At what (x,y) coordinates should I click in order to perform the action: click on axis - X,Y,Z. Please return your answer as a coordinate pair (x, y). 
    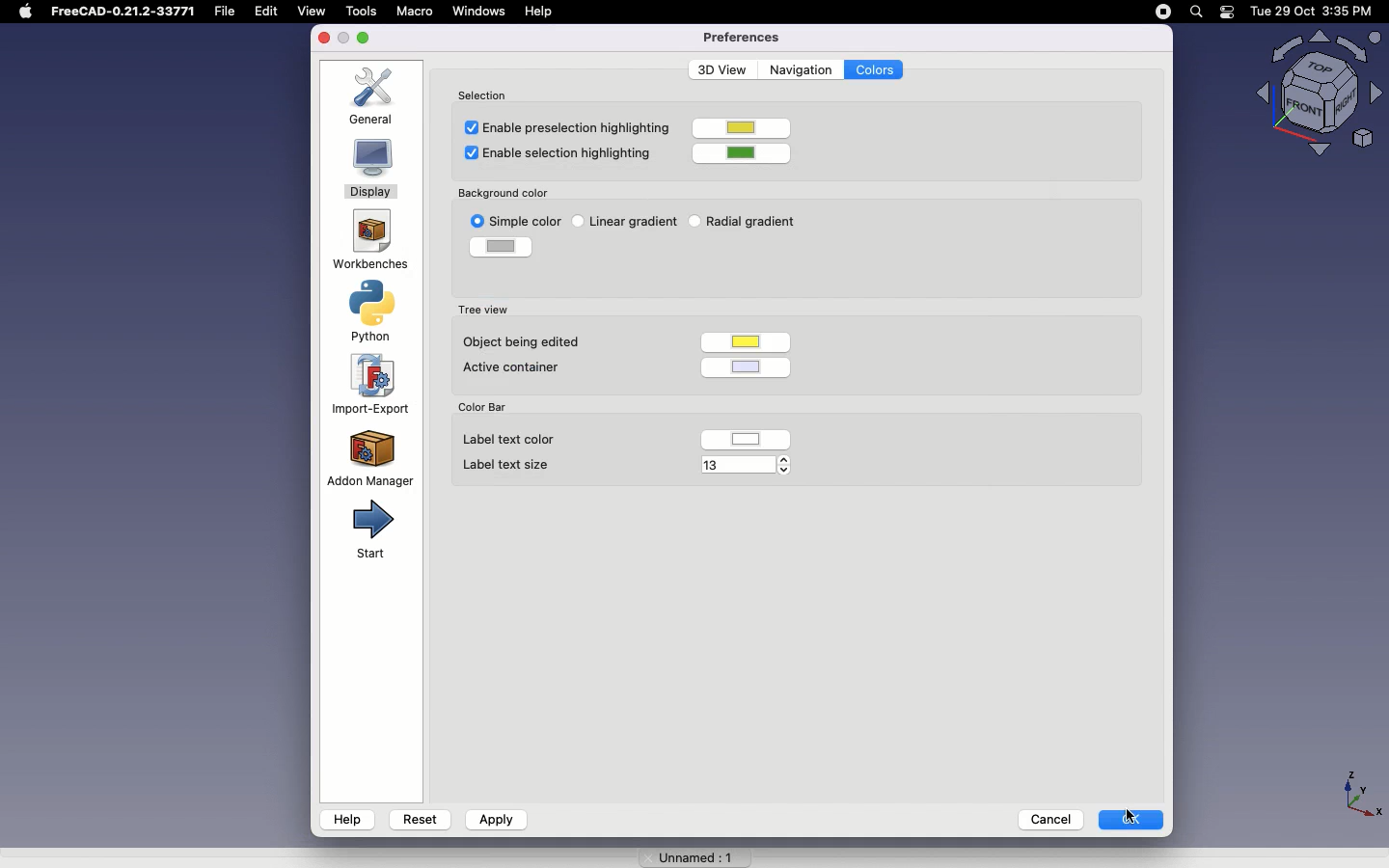
    Looking at the image, I should click on (1359, 791).